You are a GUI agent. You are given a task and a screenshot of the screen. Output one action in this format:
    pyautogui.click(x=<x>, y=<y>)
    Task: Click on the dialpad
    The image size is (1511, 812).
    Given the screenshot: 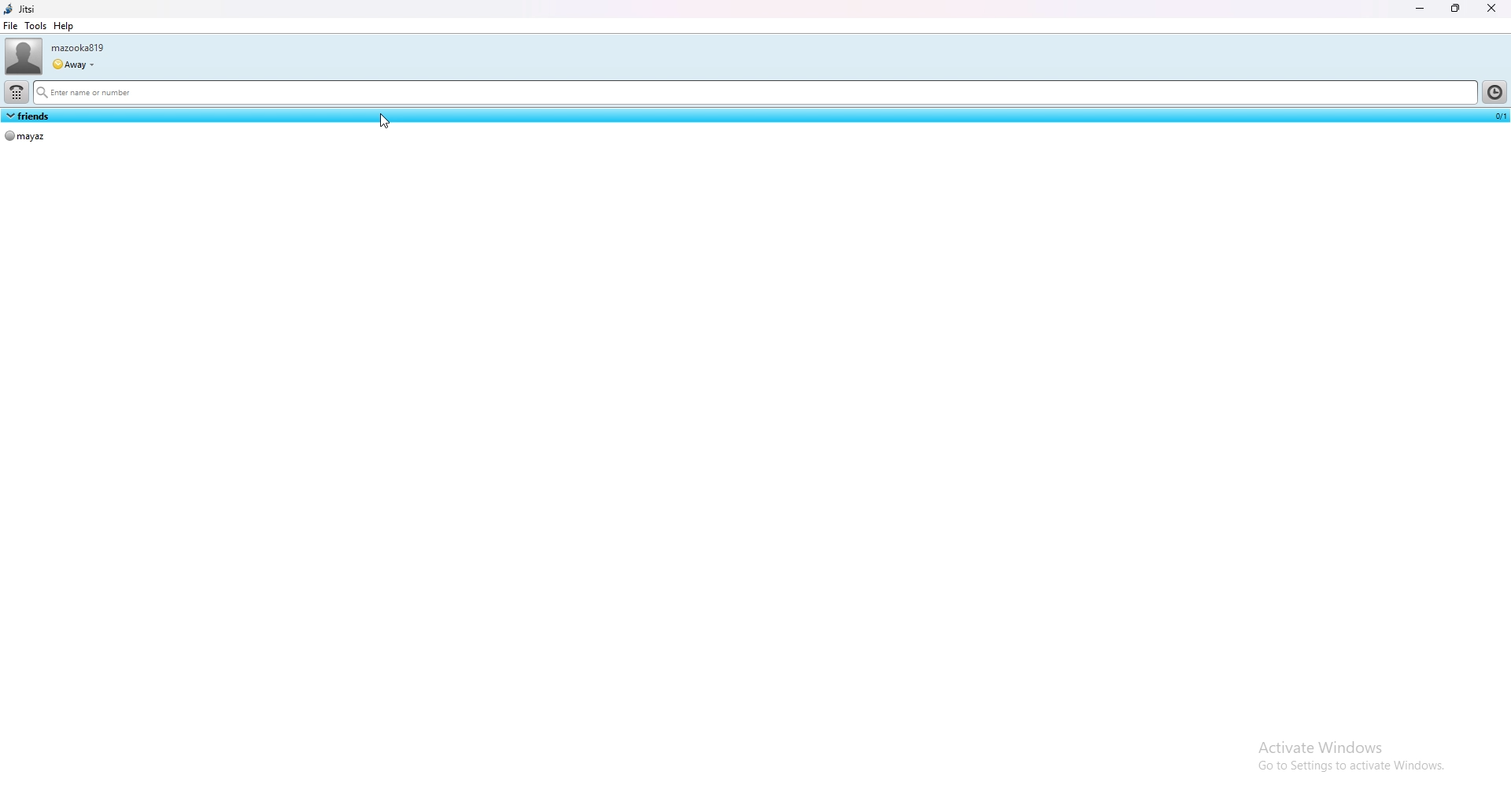 What is the action you would take?
    pyautogui.click(x=16, y=93)
    